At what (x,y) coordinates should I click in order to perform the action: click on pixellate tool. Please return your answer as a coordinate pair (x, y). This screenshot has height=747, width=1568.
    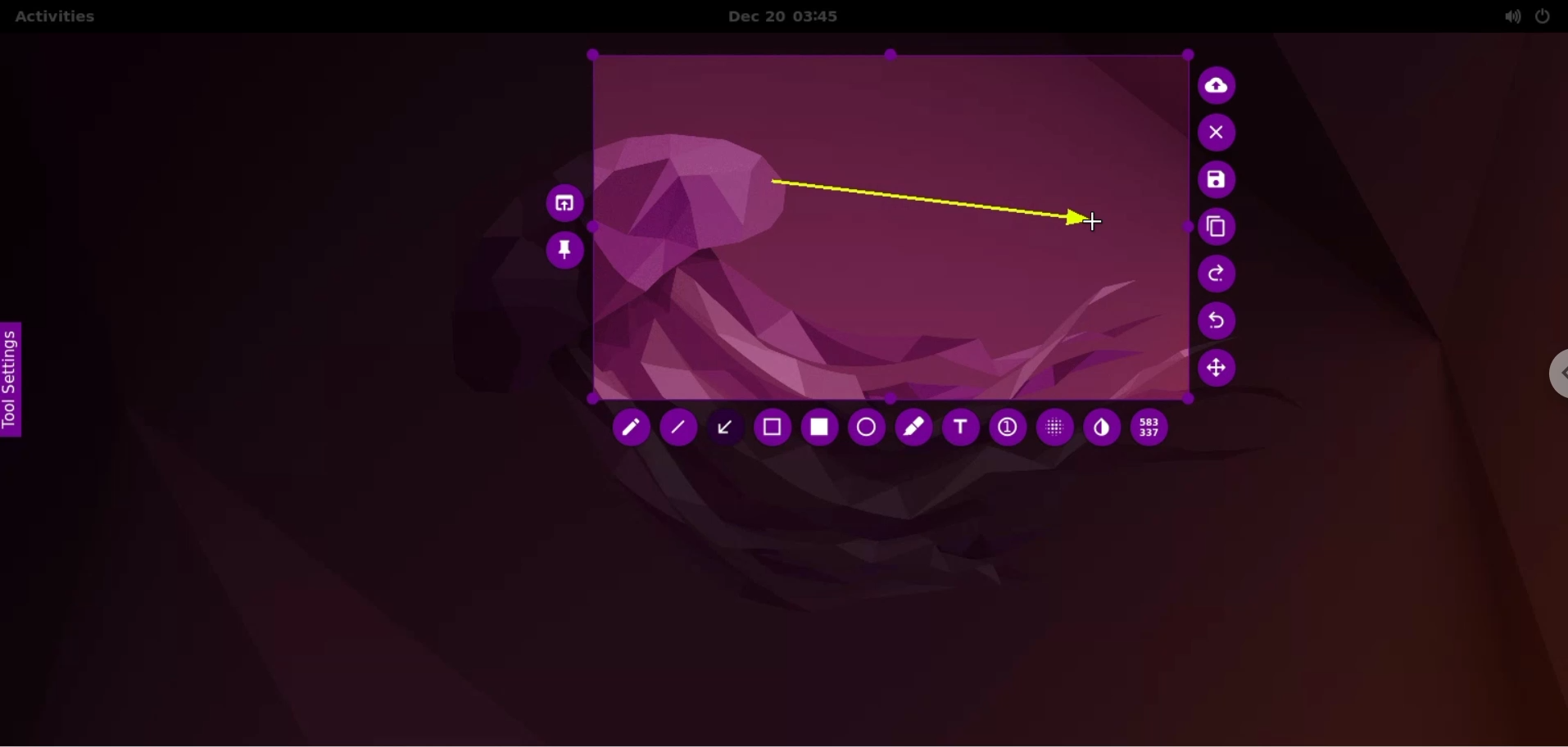
    Looking at the image, I should click on (1050, 427).